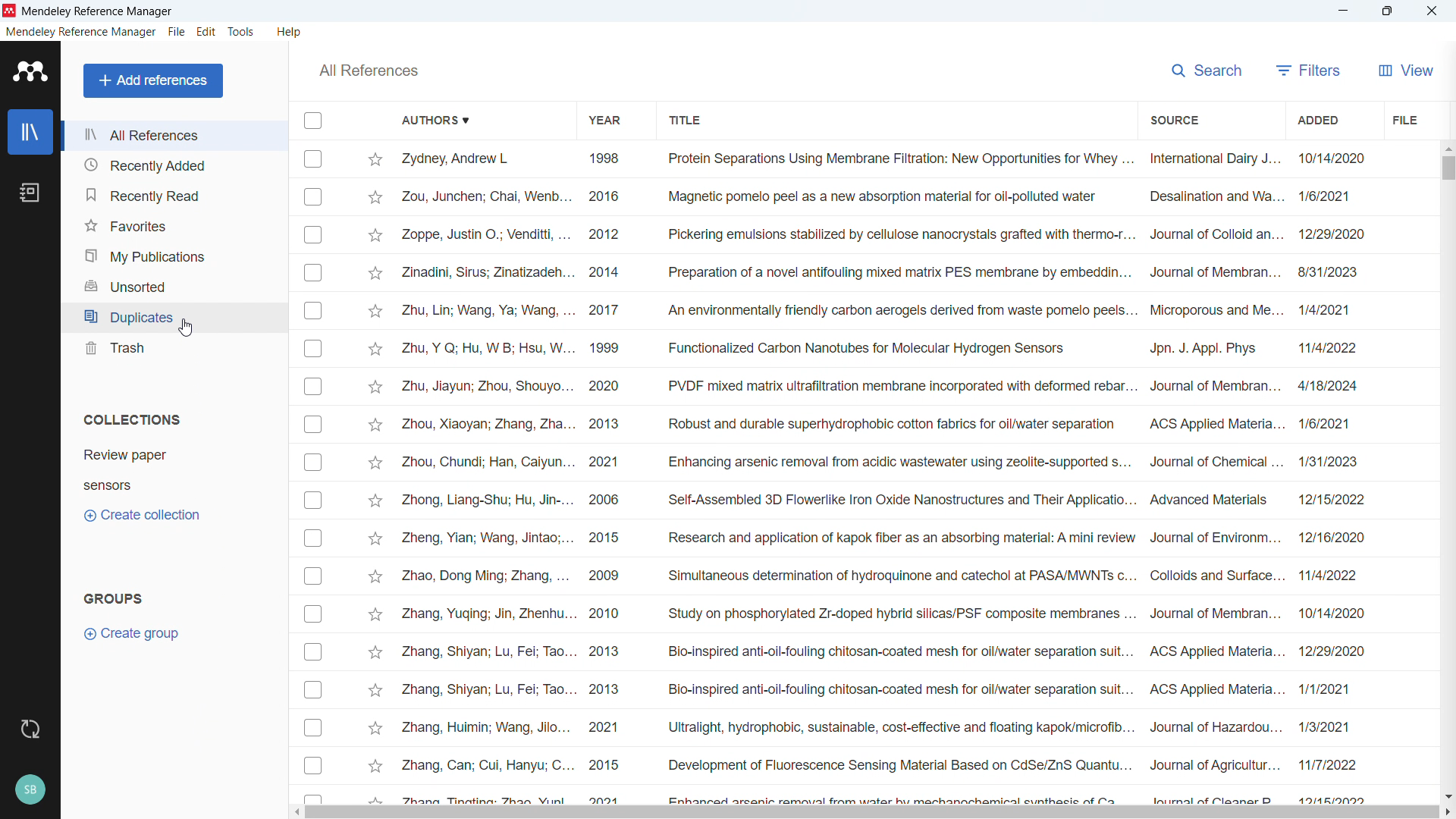 This screenshot has height=819, width=1456. What do you see at coordinates (173, 254) in the screenshot?
I see `My publications ` at bounding box center [173, 254].